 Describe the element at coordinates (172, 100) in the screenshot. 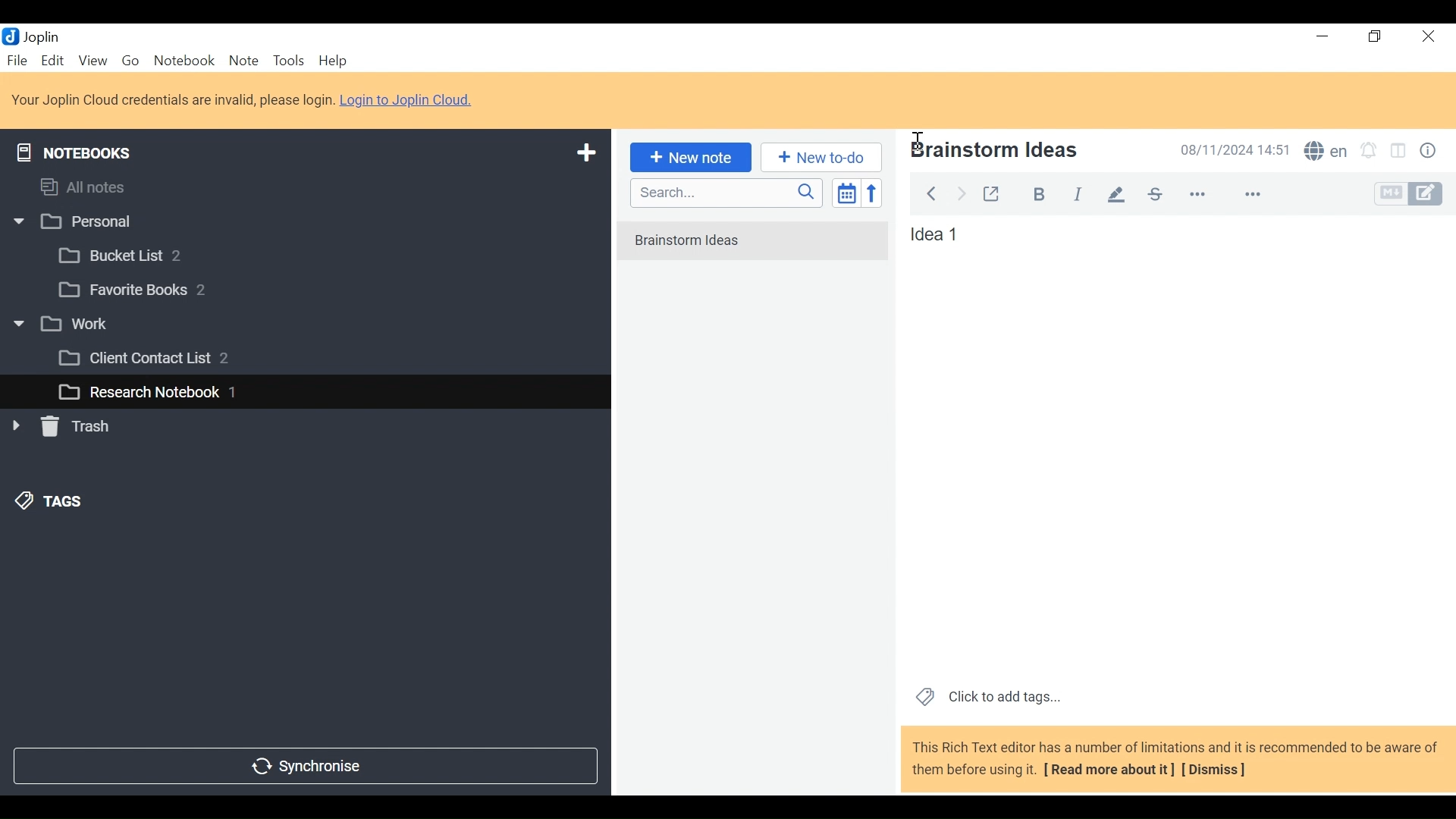

I see `Login to Joplin Cloud` at that location.